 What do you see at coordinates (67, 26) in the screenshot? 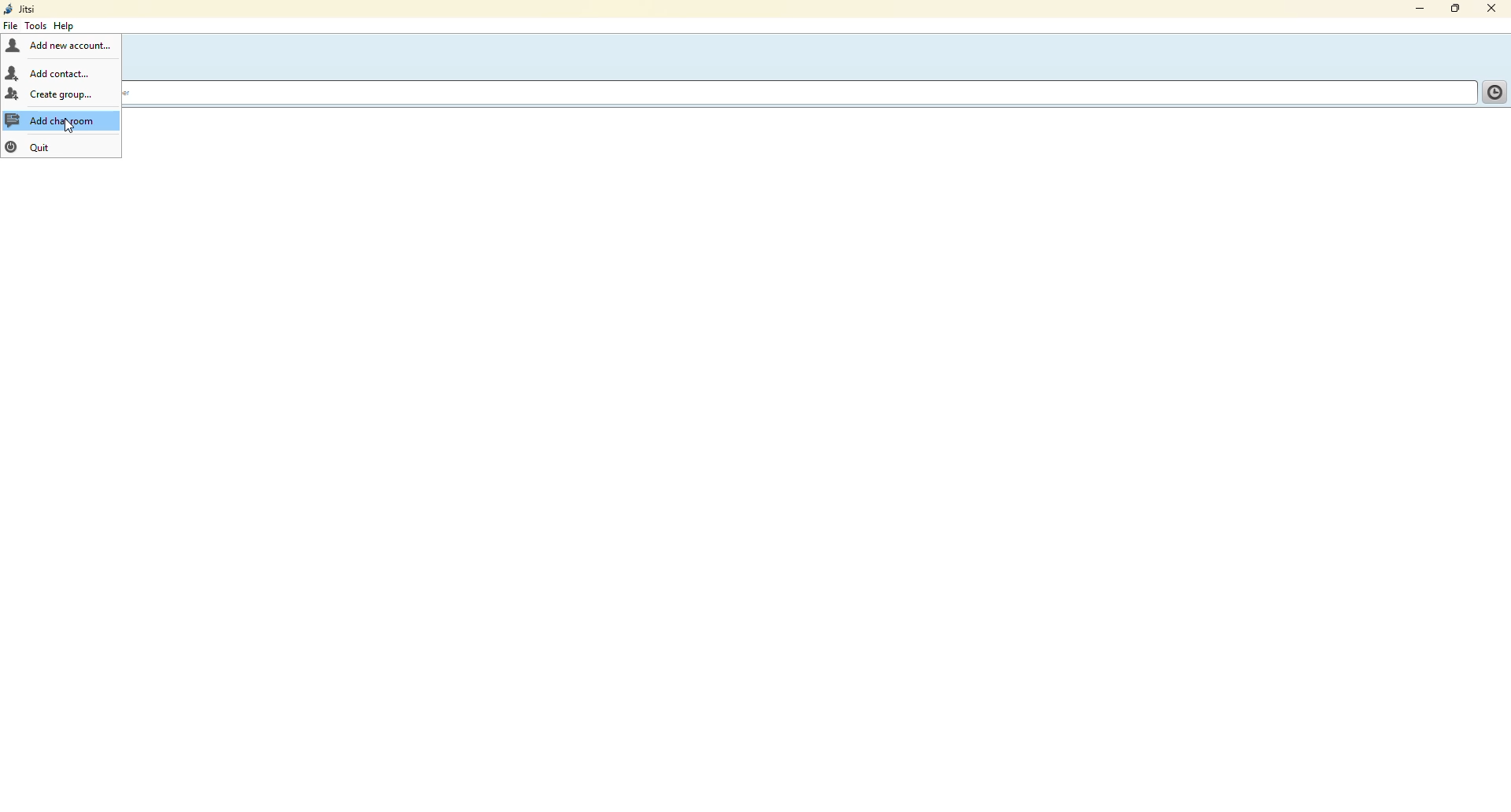
I see `help` at bounding box center [67, 26].